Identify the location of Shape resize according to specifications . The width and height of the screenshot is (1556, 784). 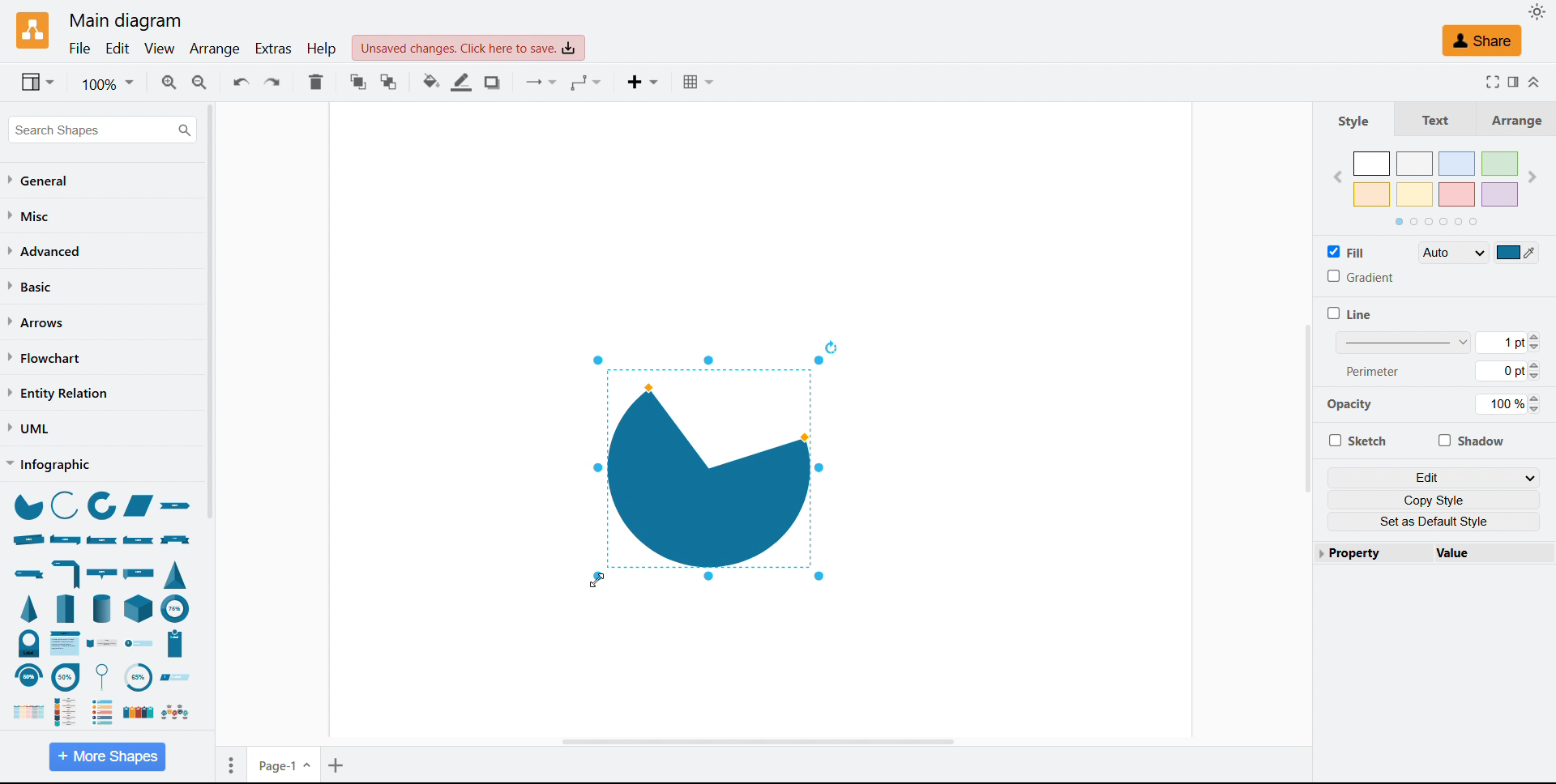
(705, 469).